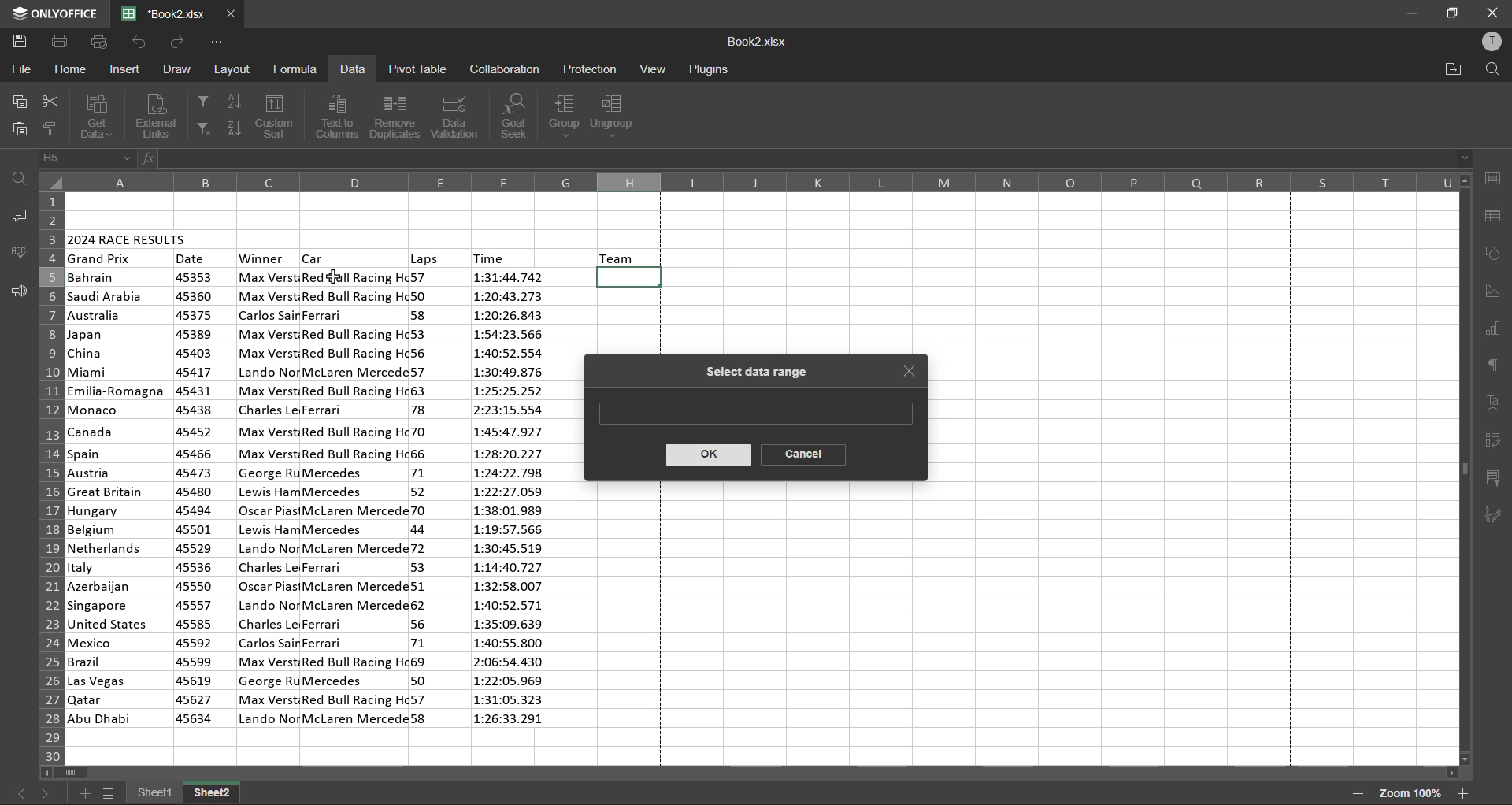 Image resolution: width=1512 pixels, height=805 pixels. I want to click on close tab, so click(912, 374).